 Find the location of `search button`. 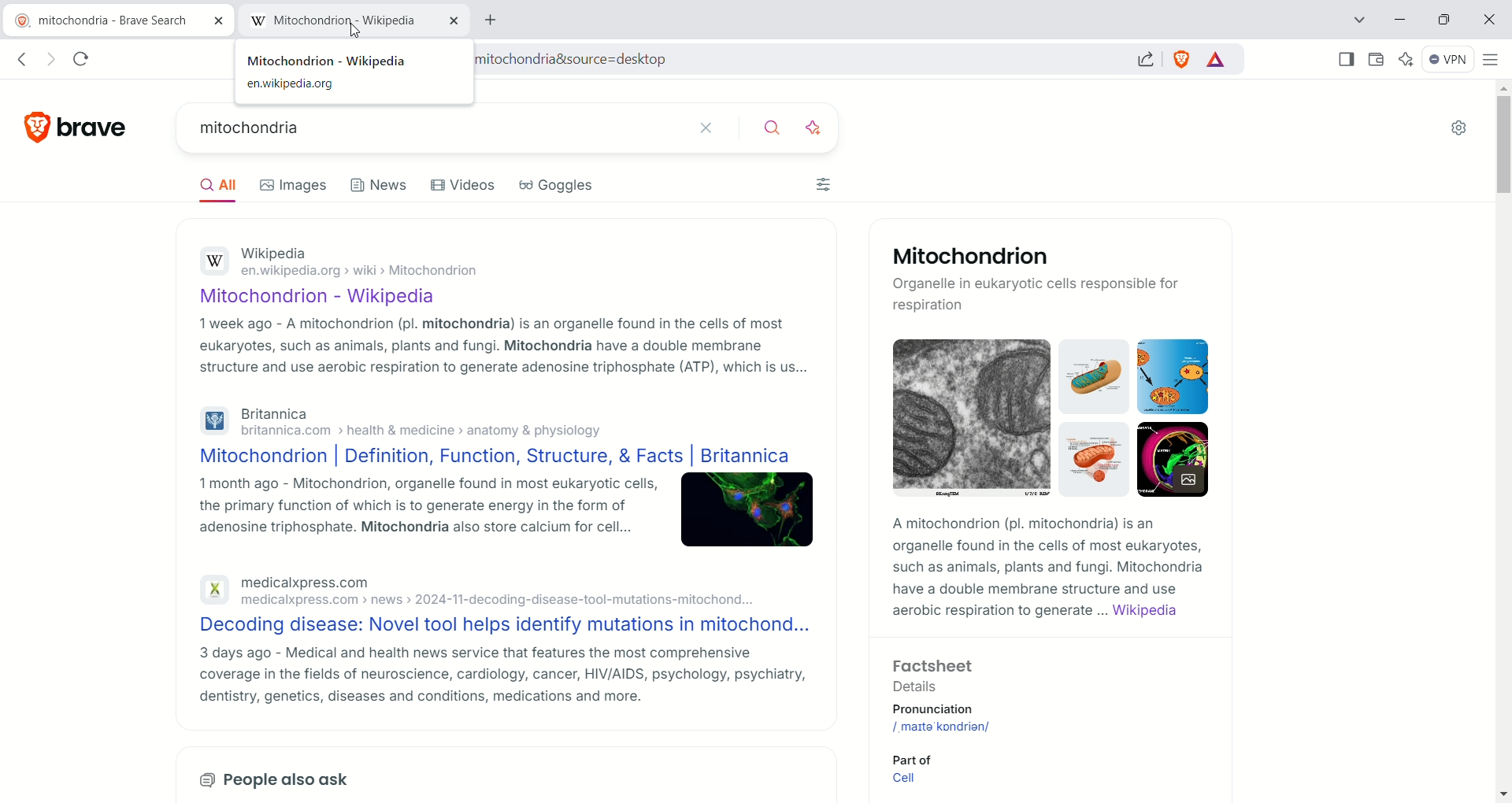

search button is located at coordinates (772, 130).